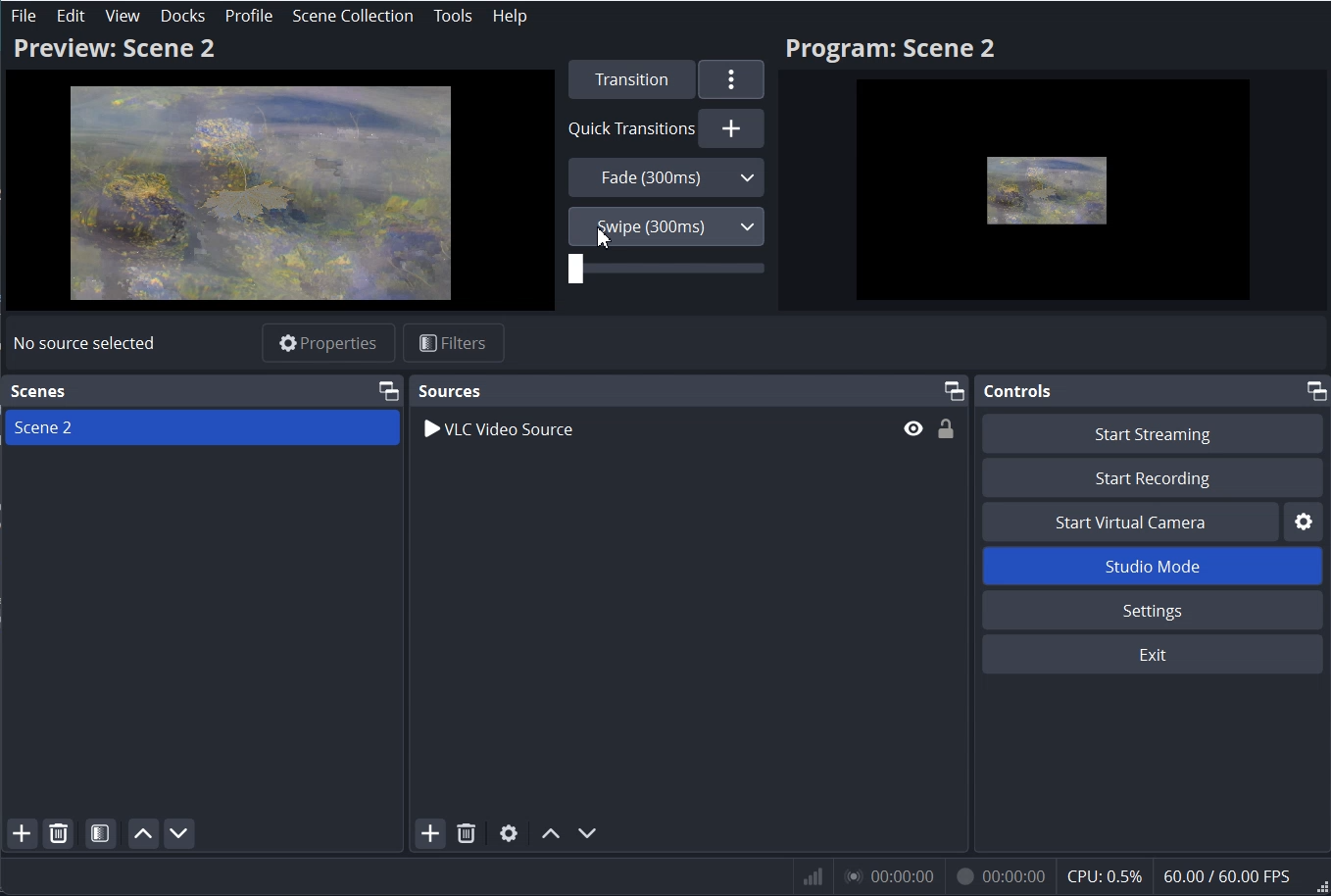  What do you see at coordinates (605, 237) in the screenshot?
I see `Cursor` at bounding box center [605, 237].